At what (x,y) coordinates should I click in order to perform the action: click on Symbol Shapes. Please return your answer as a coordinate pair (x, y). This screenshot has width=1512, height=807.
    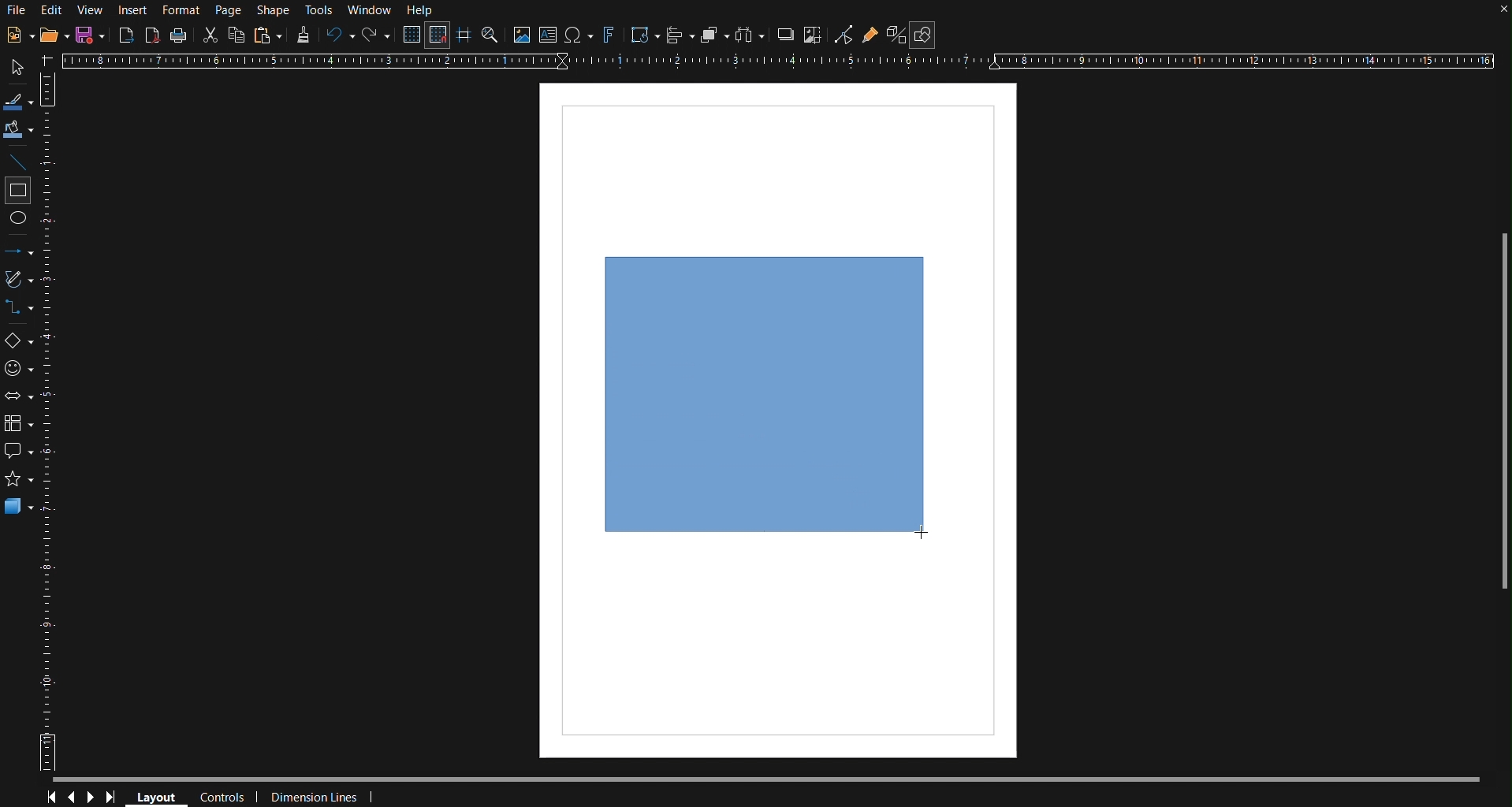
    Looking at the image, I should click on (20, 369).